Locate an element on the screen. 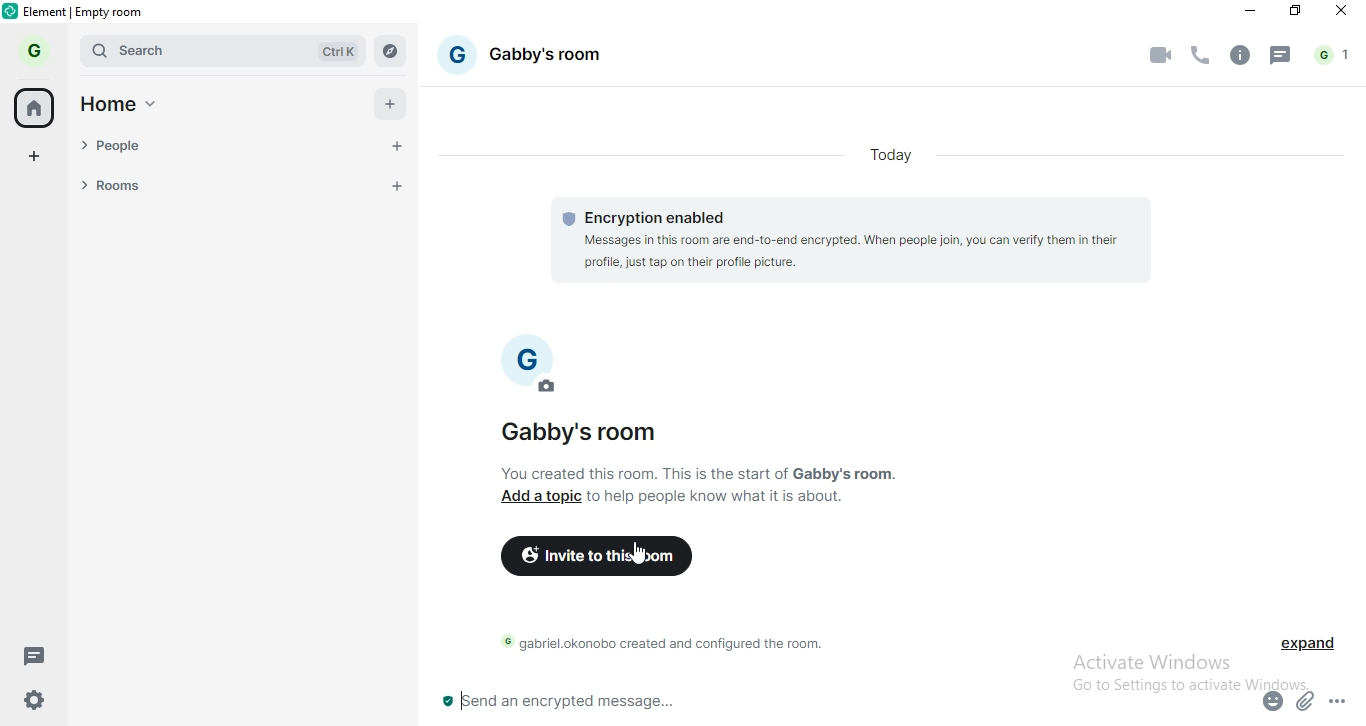 The width and height of the screenshot is (1366, 726). close is located at coordinates (1344, 13).